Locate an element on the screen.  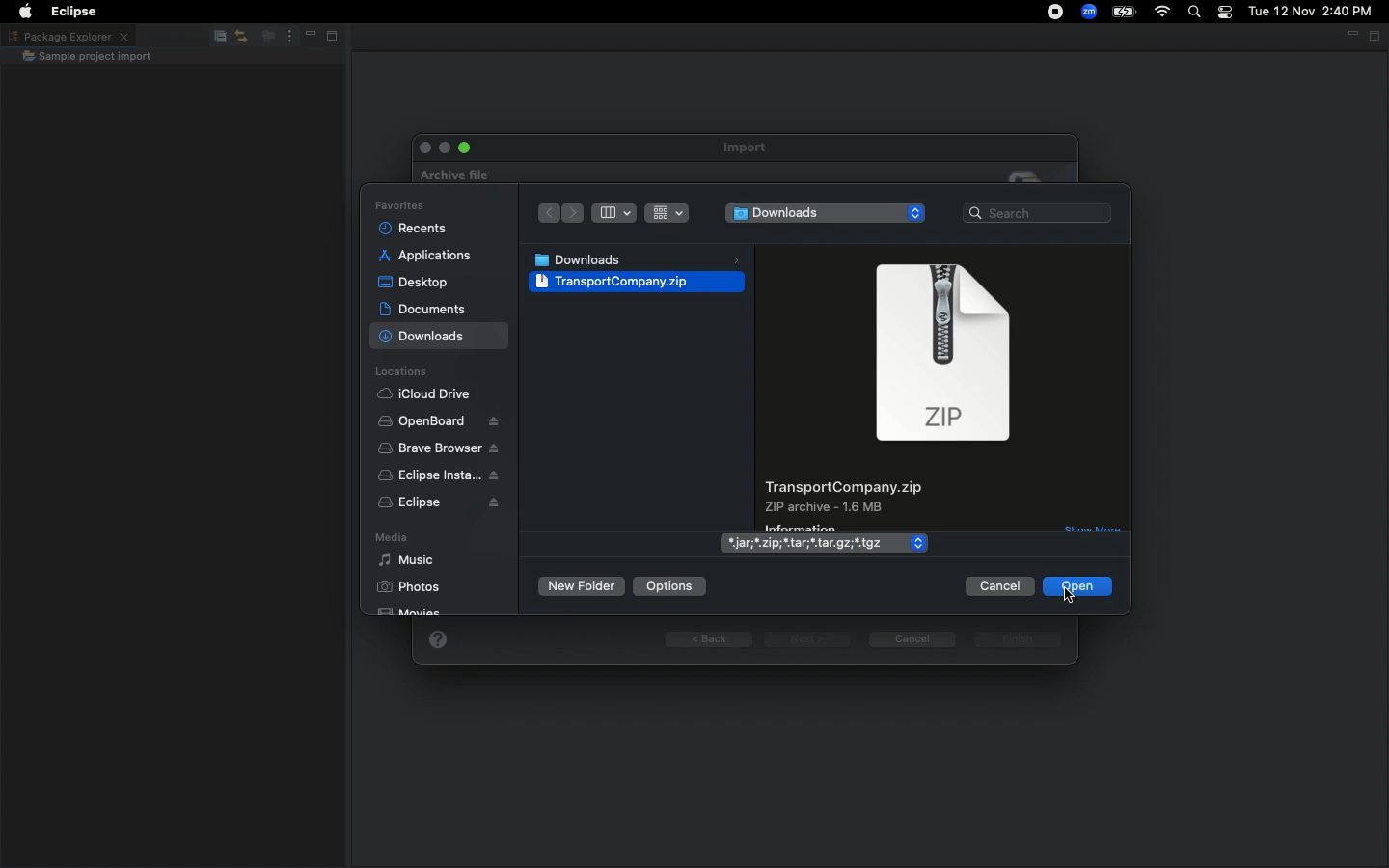
Forward is located at coordinates (572, 216).